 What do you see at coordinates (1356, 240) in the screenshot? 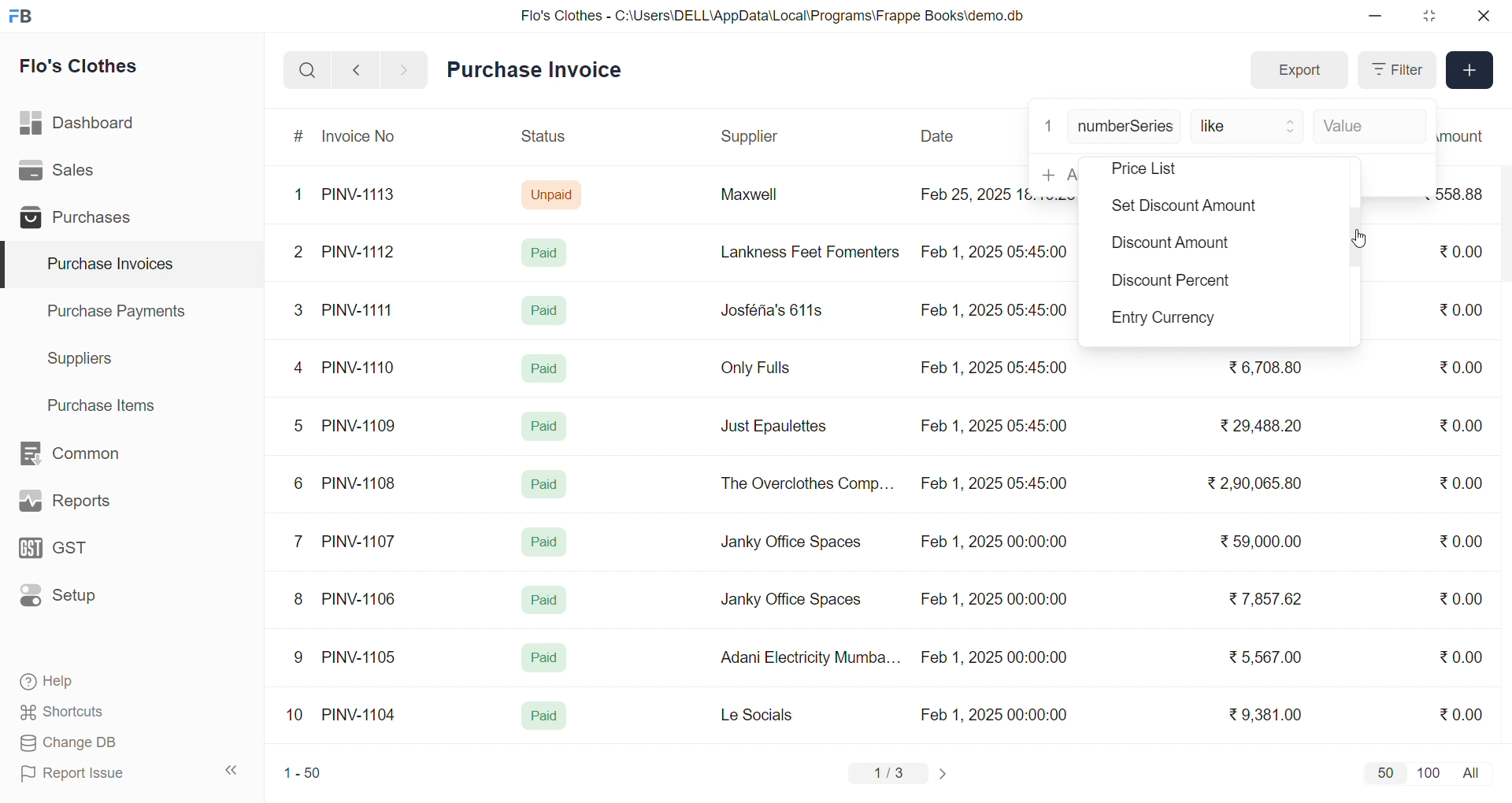
I see `vertical scroll bar` at bounding box center [1356, 240].